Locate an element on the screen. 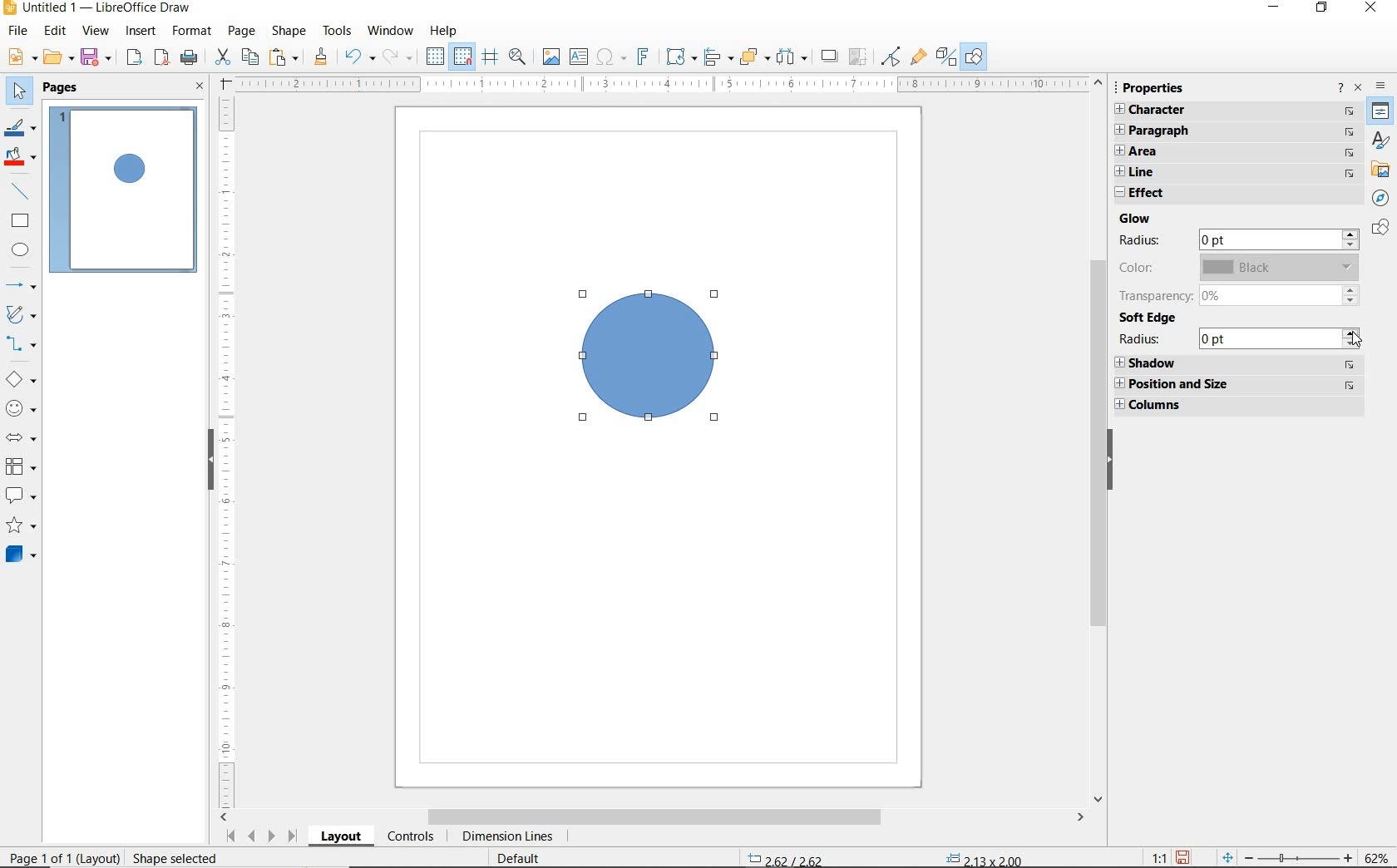 The image size is (1397, 868). RULER is located at coordinates (227, 451).